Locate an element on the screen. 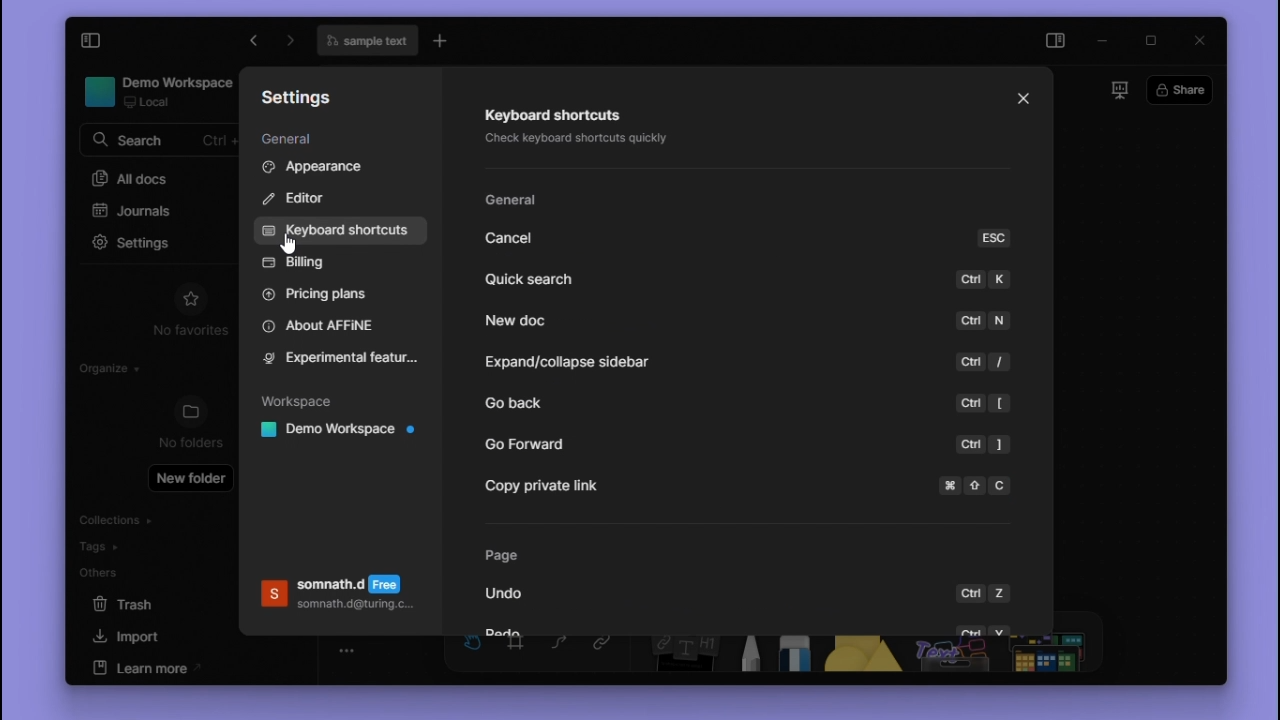 The height and width of the screenshot is (720, 1280). Go  forward is located at coordinates (528, 446).